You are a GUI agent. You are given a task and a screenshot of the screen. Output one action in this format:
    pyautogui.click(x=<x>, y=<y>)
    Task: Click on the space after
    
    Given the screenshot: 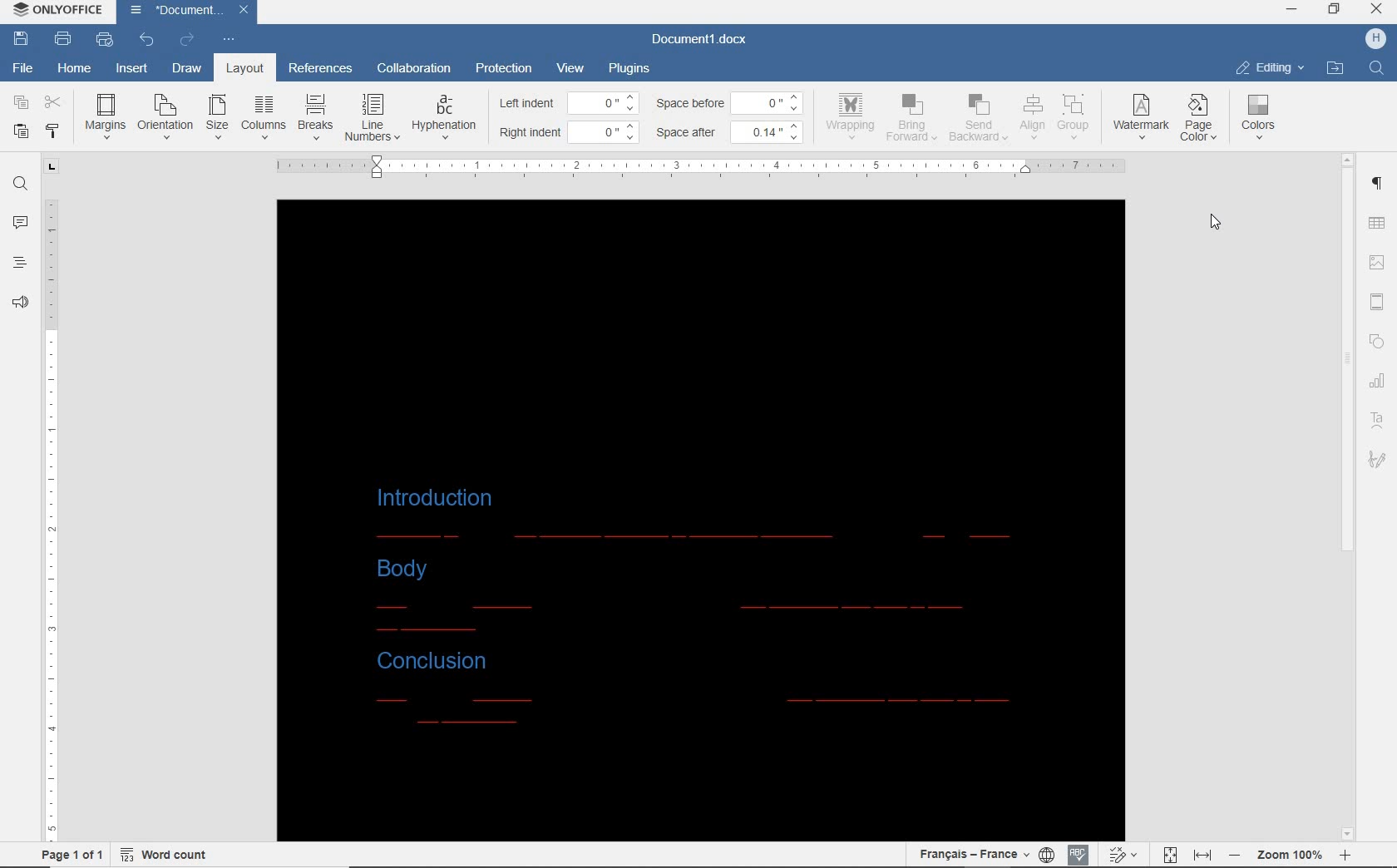 What is the action you would take?
    pyautogui.click(x=689, y=132)
    